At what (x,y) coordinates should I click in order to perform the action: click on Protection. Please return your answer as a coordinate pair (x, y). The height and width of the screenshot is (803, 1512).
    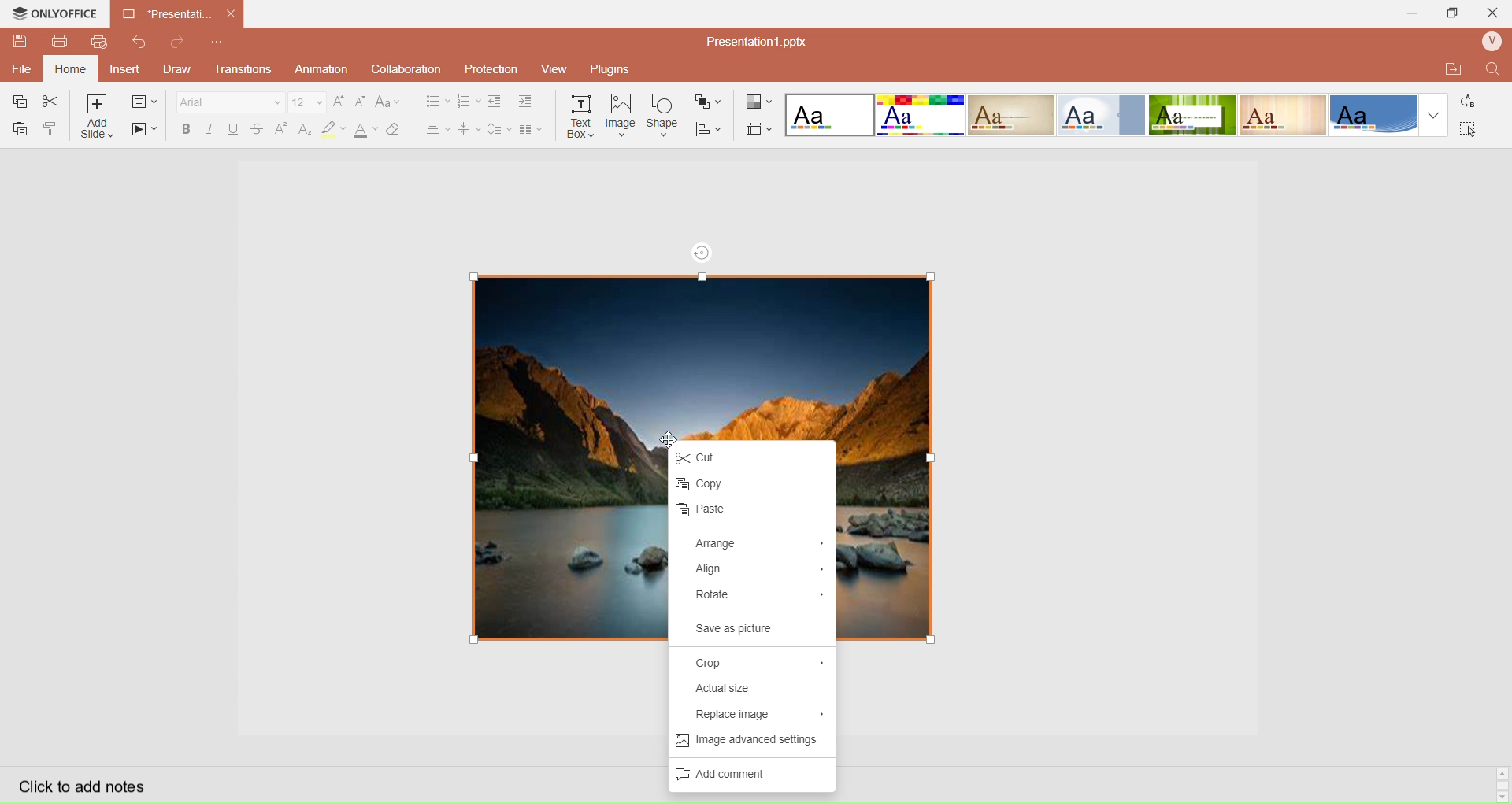
    Looking at the image, I should click on (493, 69).